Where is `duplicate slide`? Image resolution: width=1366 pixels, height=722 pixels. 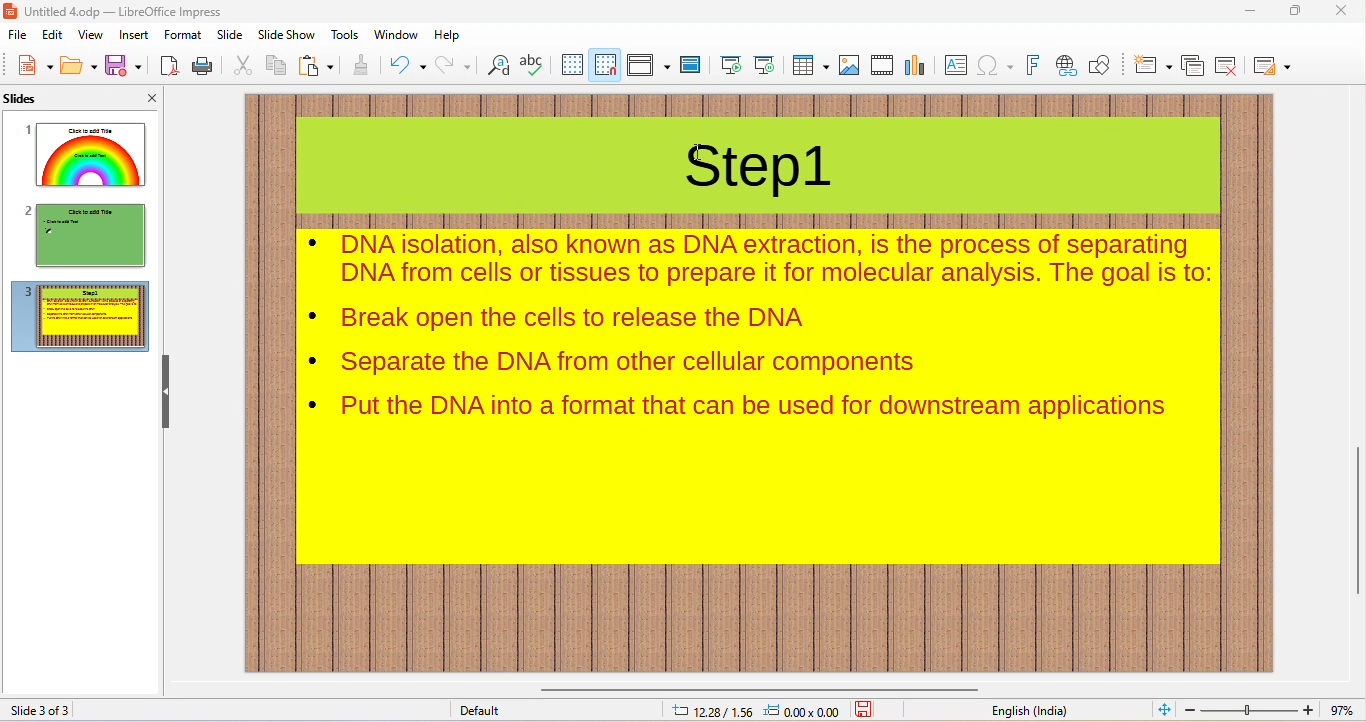
duplicate slide is located at coordinates (1194, 67).